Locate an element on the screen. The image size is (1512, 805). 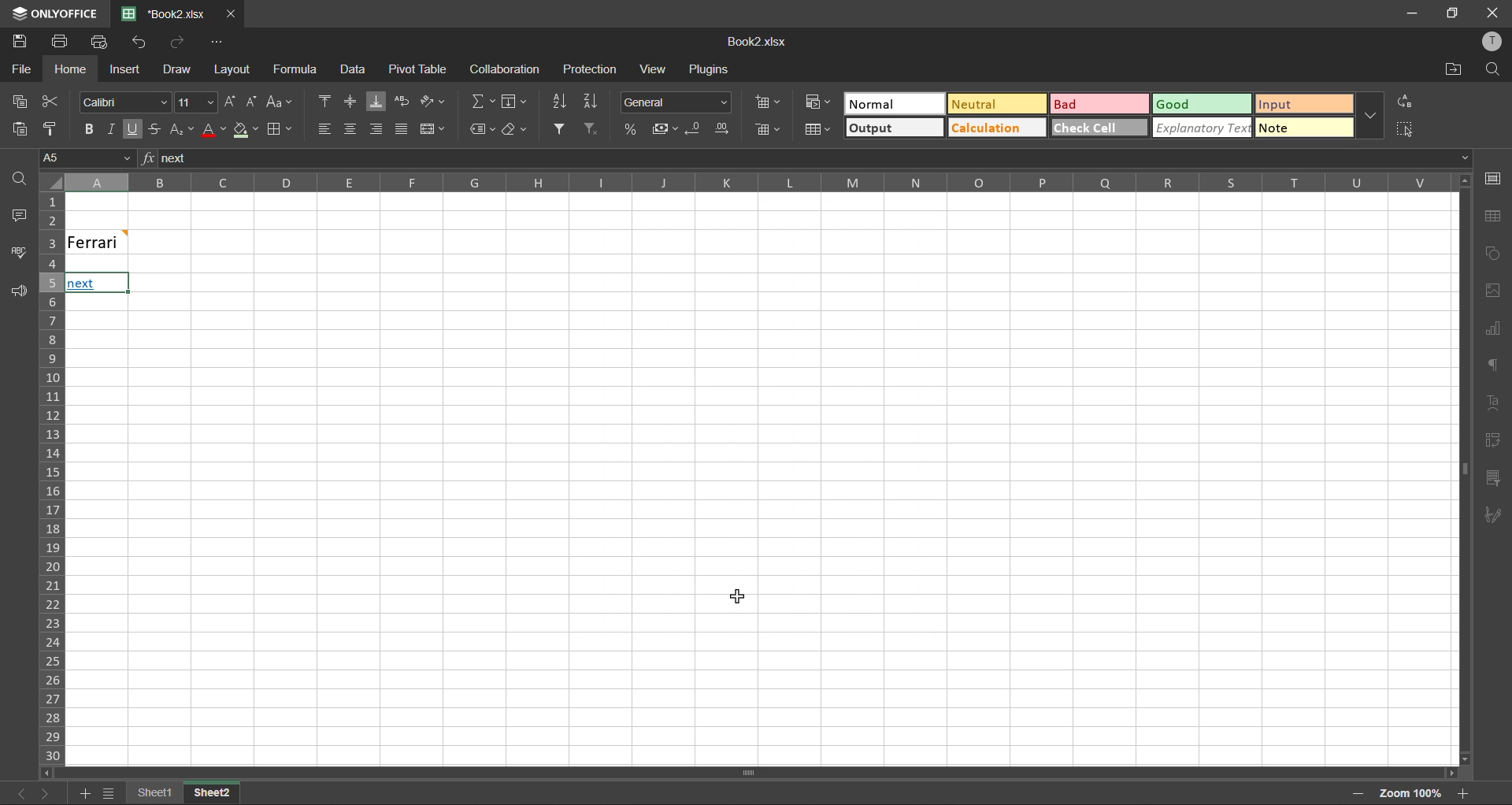
copy is located at coordinates (17, 101).